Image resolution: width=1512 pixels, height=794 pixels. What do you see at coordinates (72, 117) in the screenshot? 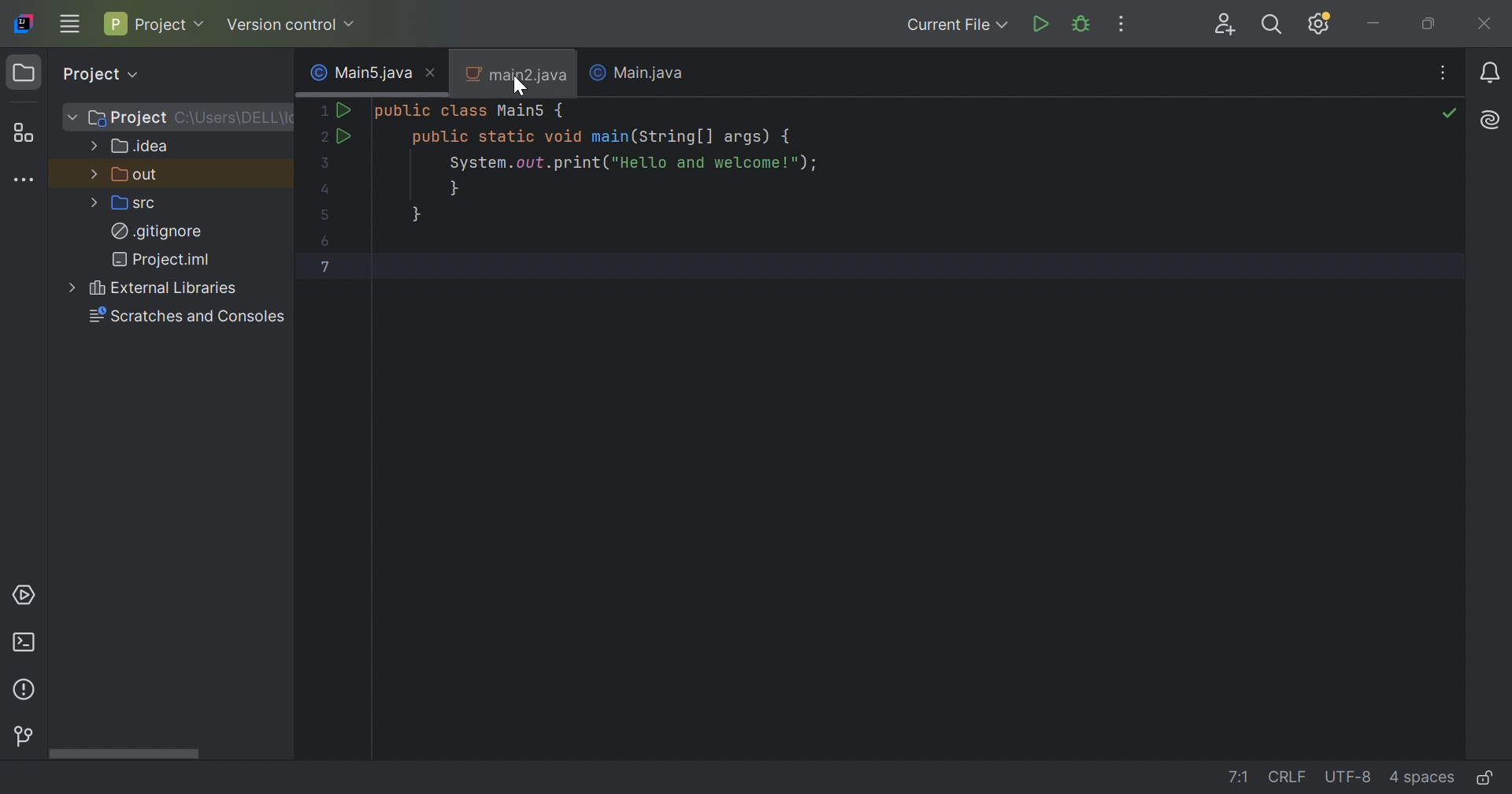
I see `More` at bounding box center [72, 117].